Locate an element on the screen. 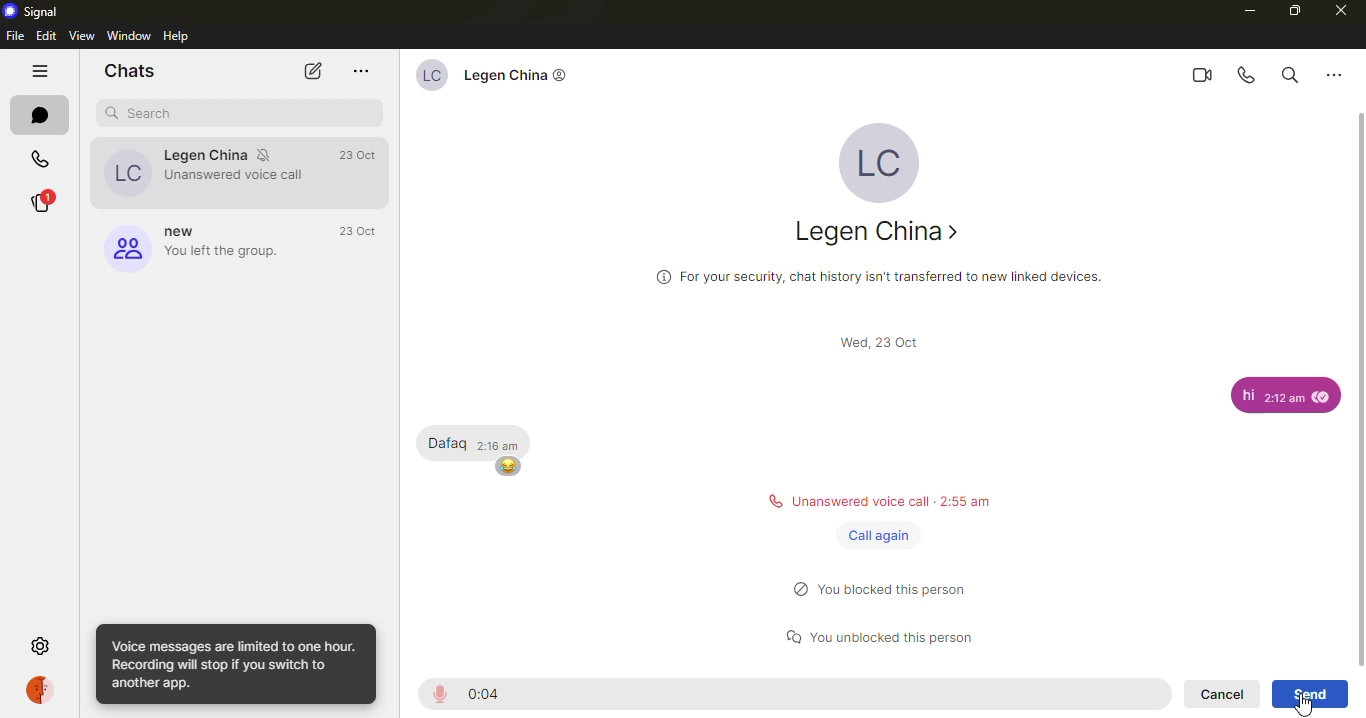  maximize is located at coordinates (1292, 13).